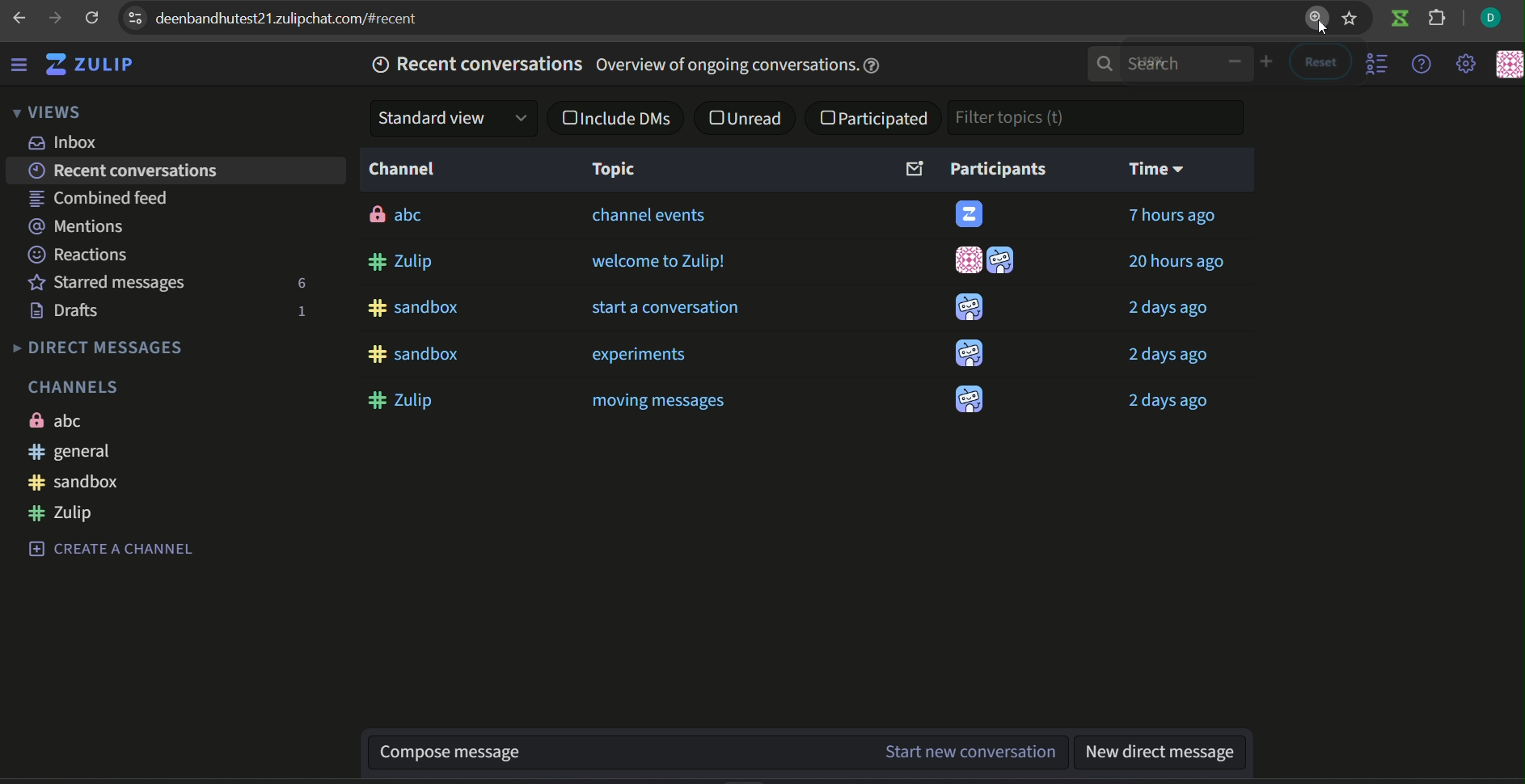  What do you see at coordinates (969, 402) in the screenshot?
I see `icon` at bounding box center [969, 402].